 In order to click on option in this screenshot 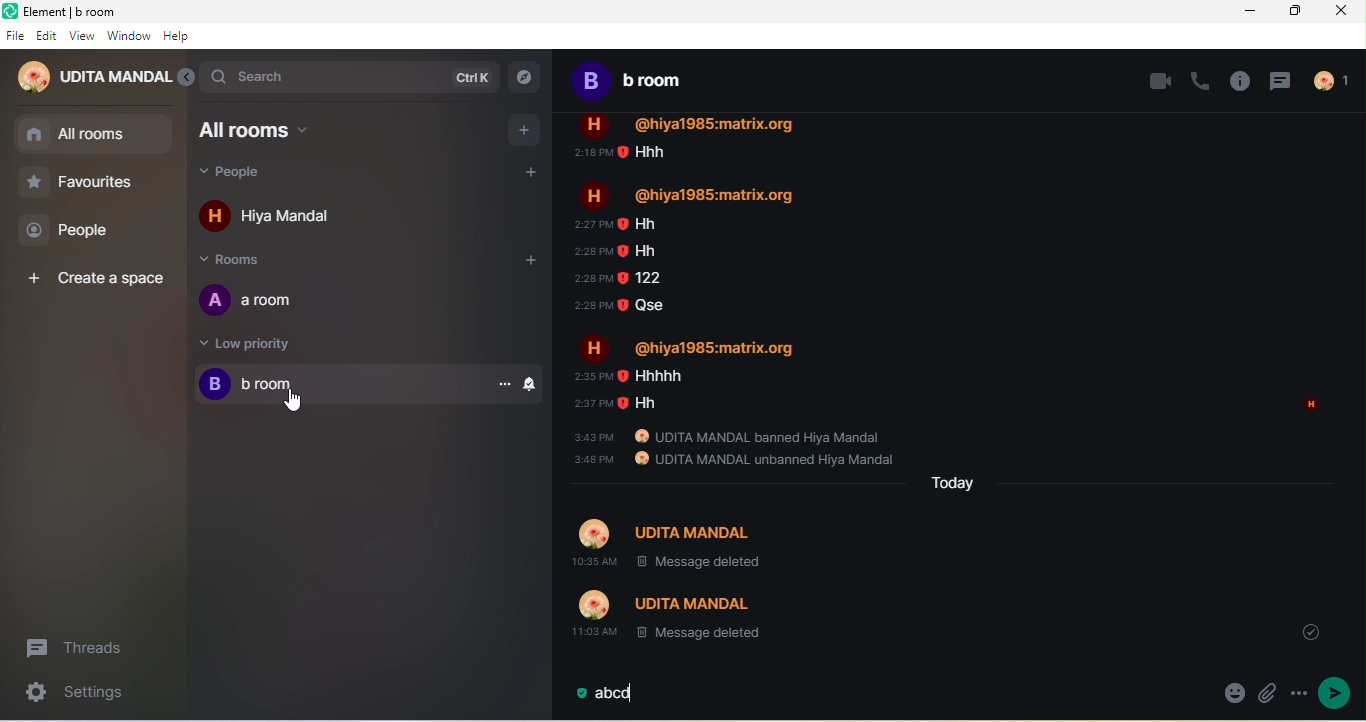, I will do `click(507, 384)`.